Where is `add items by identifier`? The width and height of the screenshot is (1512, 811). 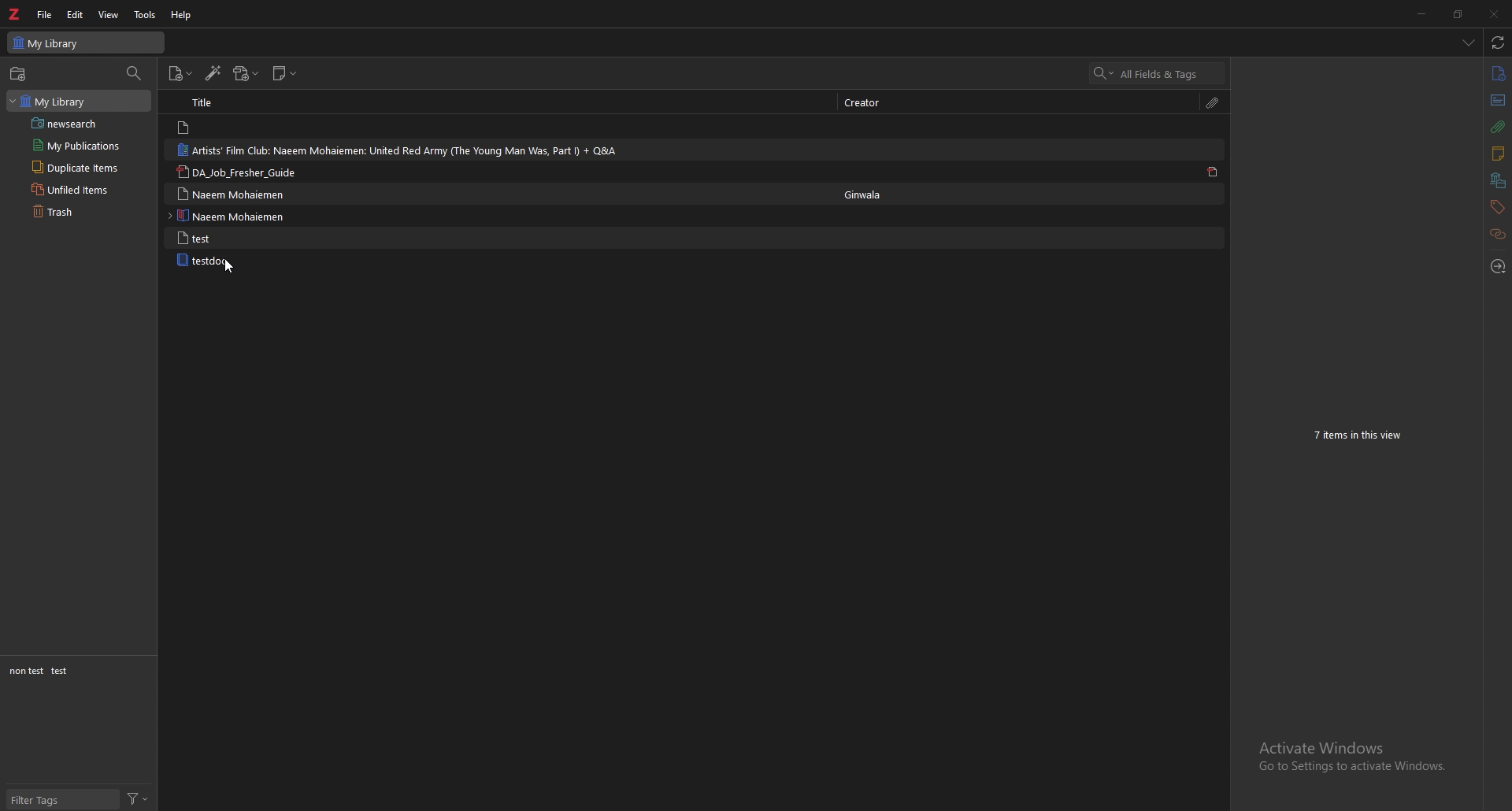 add items by identifier is located at coordinates (213, 72).